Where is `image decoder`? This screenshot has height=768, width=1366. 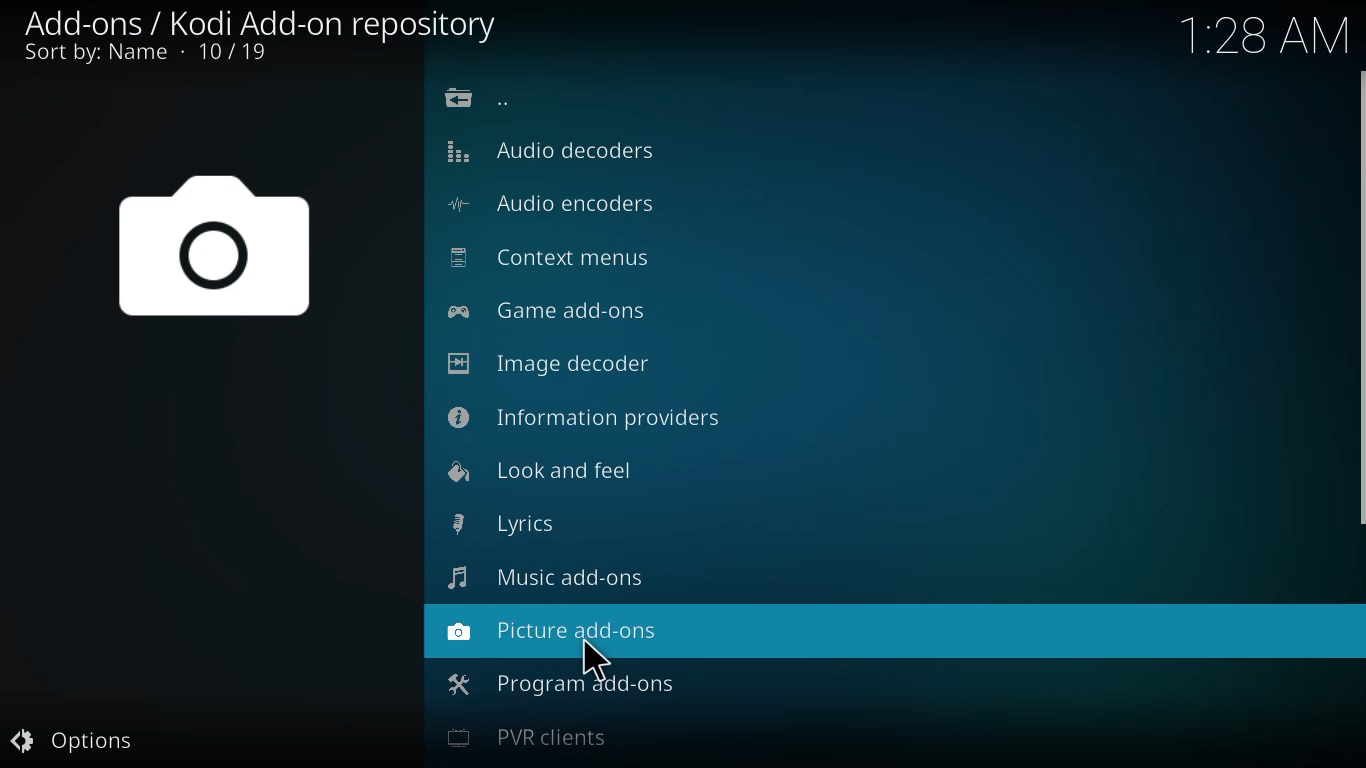 image decoder is located at coordinates (548, 363).